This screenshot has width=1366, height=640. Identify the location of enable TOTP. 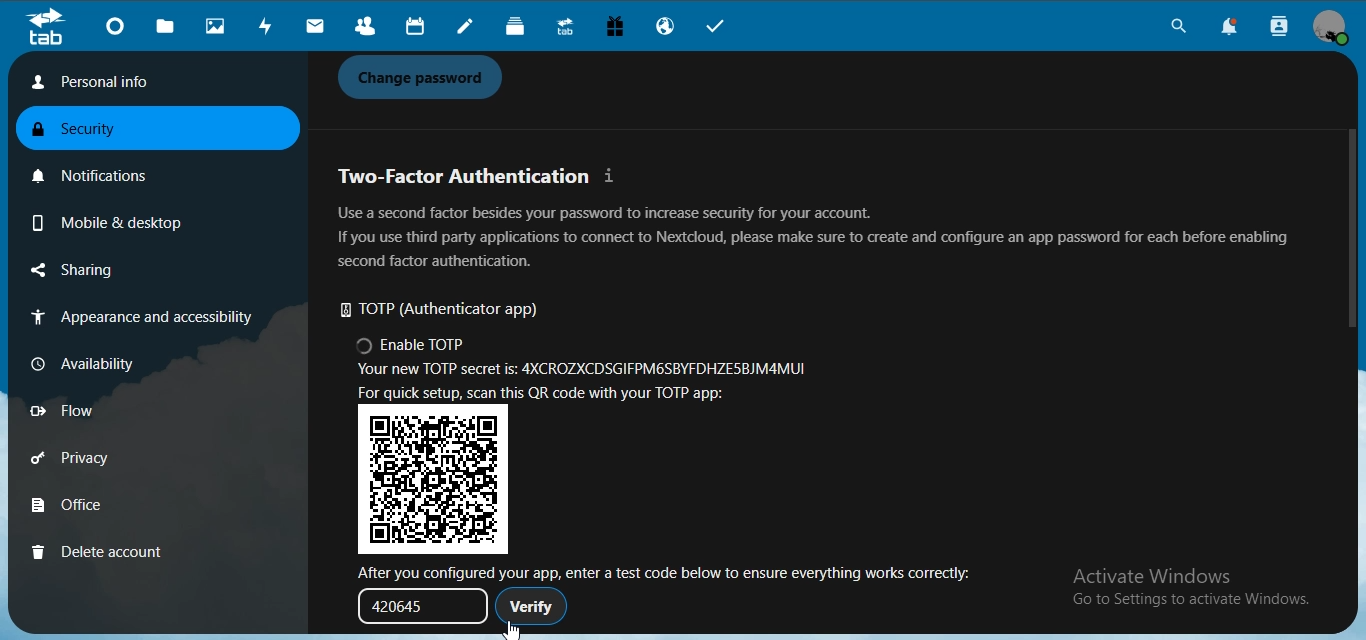
(413, 347).